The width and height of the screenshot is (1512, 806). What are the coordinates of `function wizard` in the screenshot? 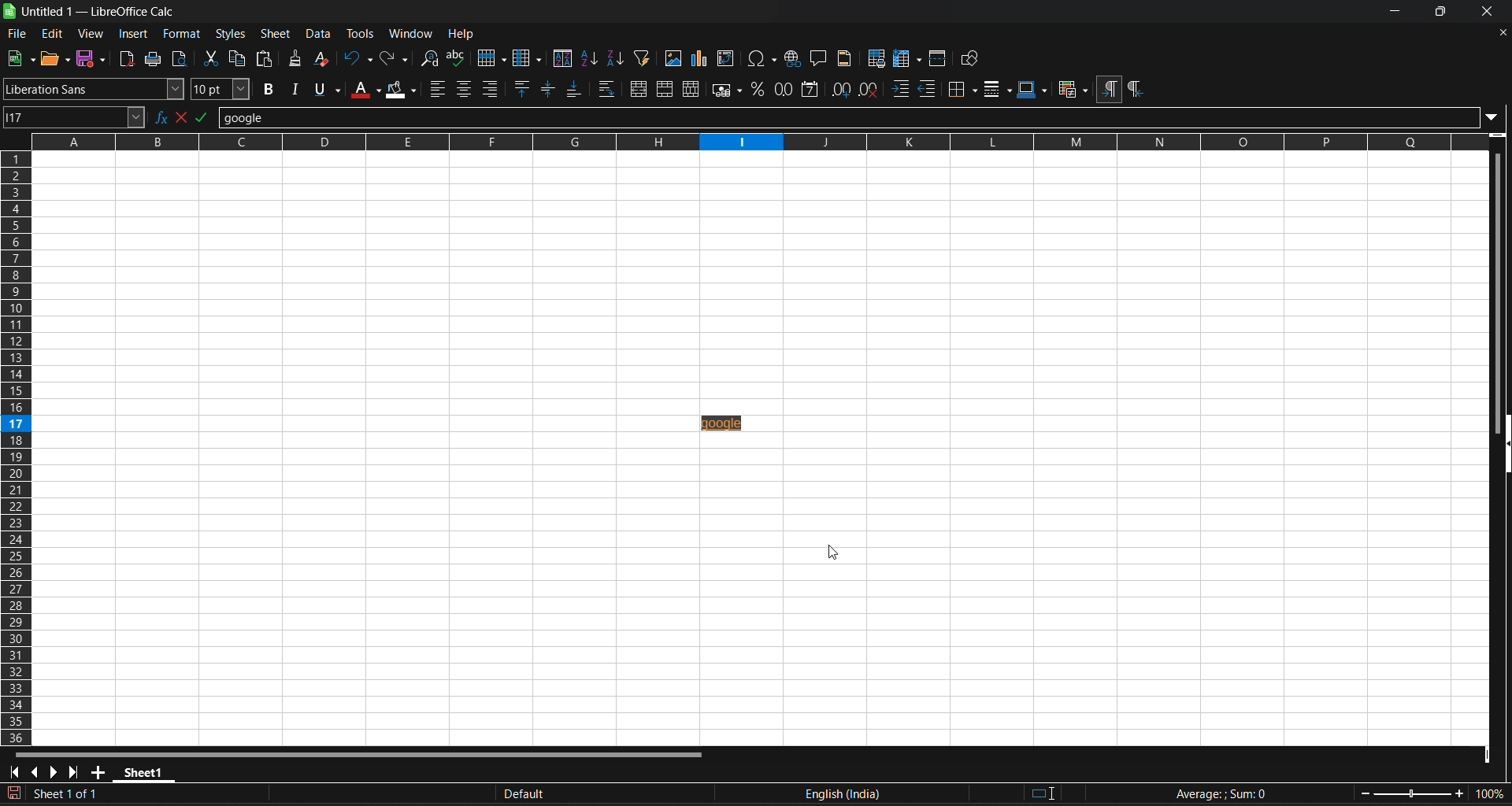 It's located at (162, 117).